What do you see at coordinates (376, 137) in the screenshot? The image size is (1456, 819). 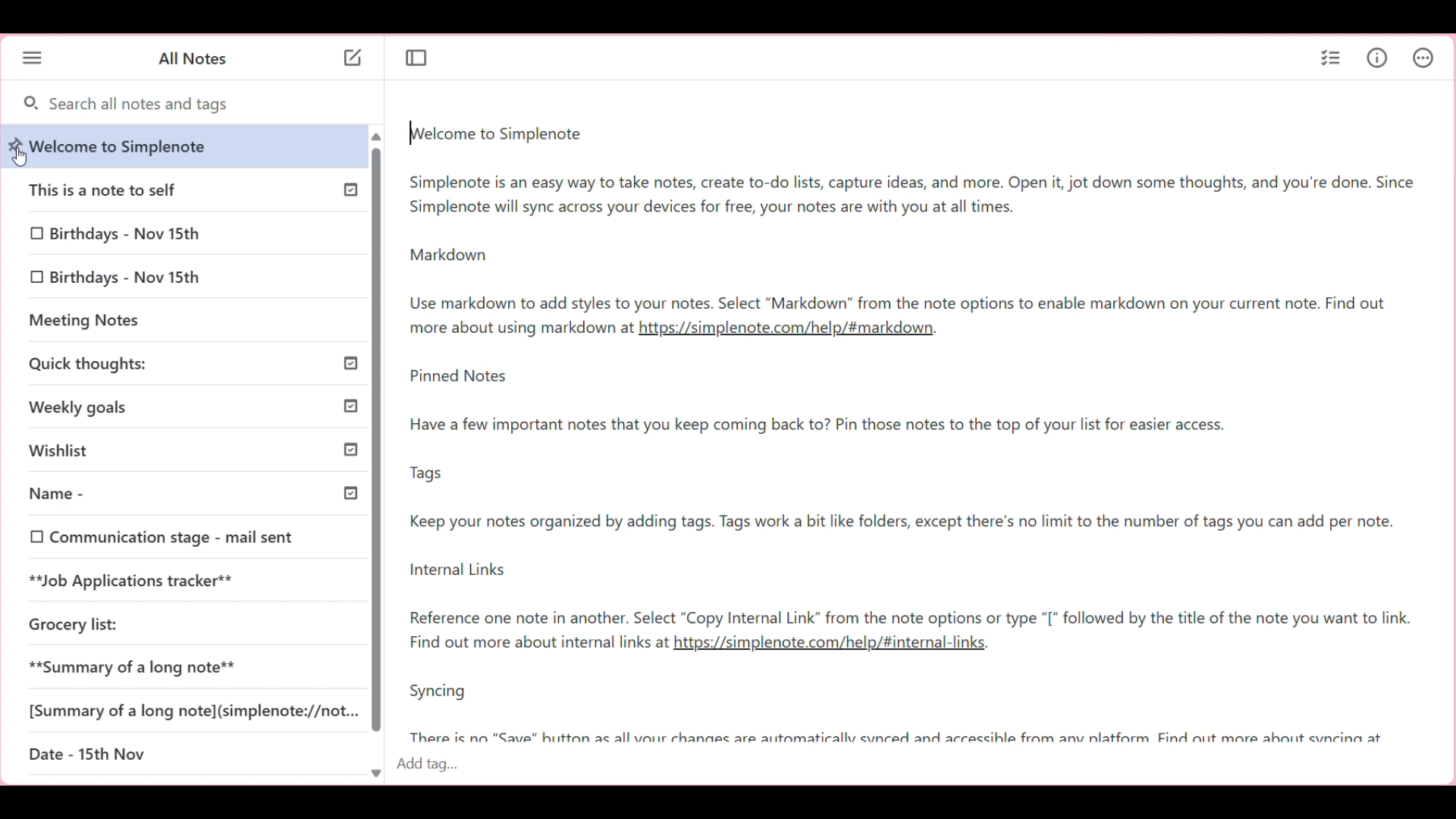 I see `quick slide to top` at bounding box center [376, 137].